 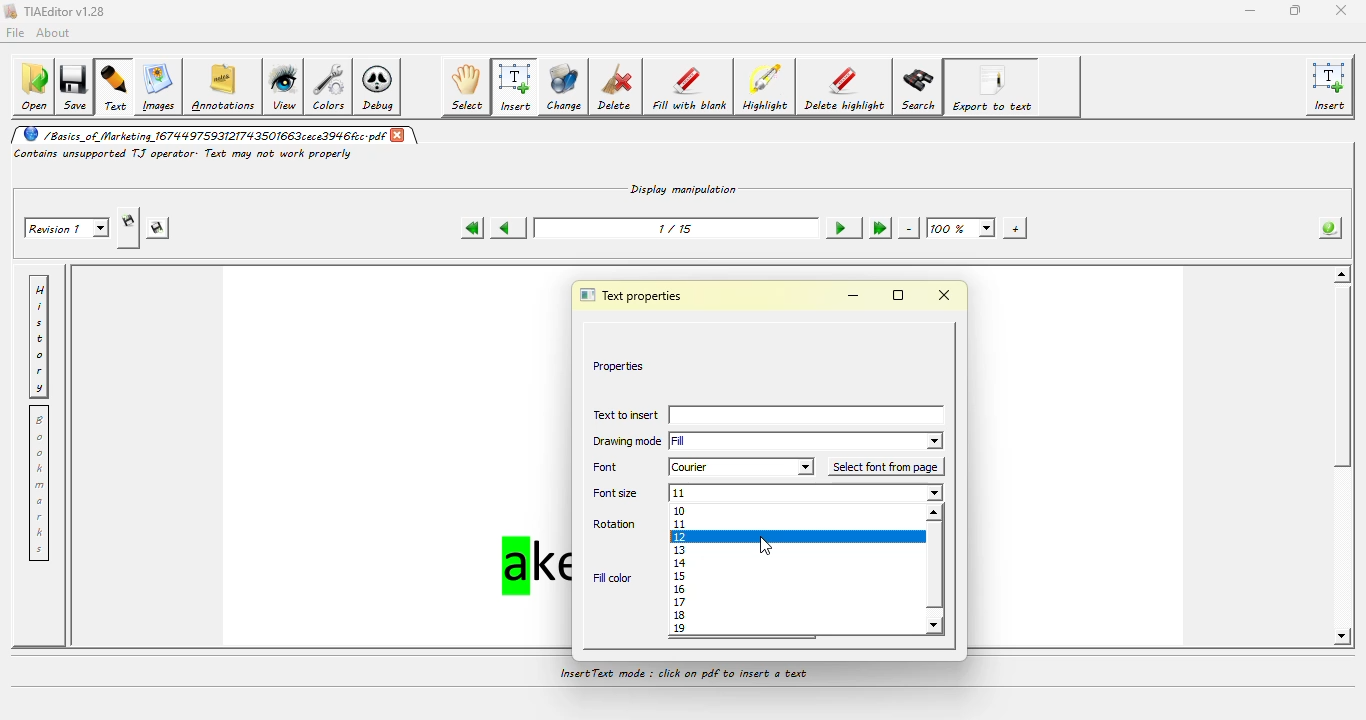 I want to click on creates new revision, so click(x=128, y=221).